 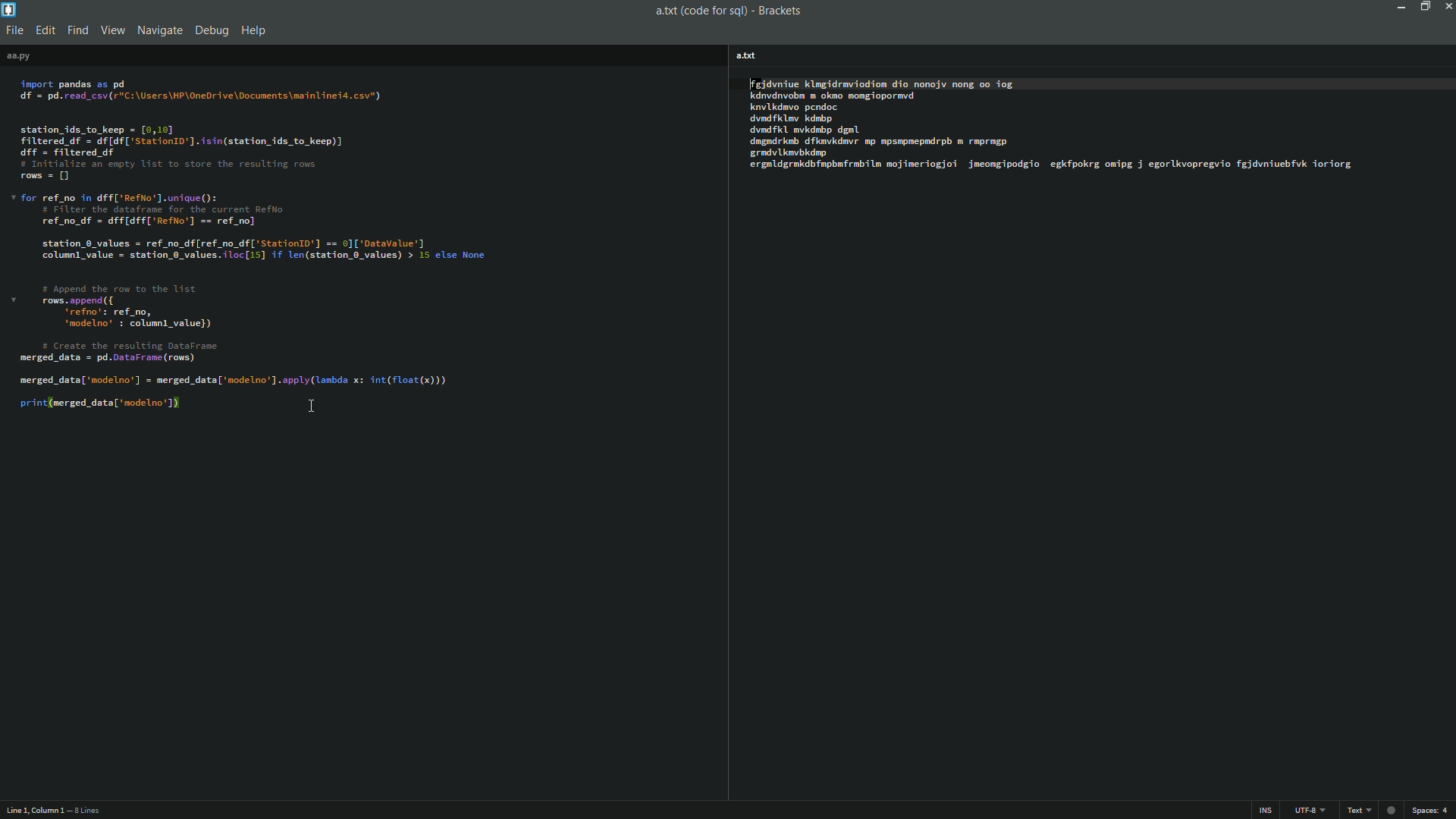 What do you see at coordinates (1447, 9) in the screenshot?
I see `close app` at bounding box center [1447, 9].